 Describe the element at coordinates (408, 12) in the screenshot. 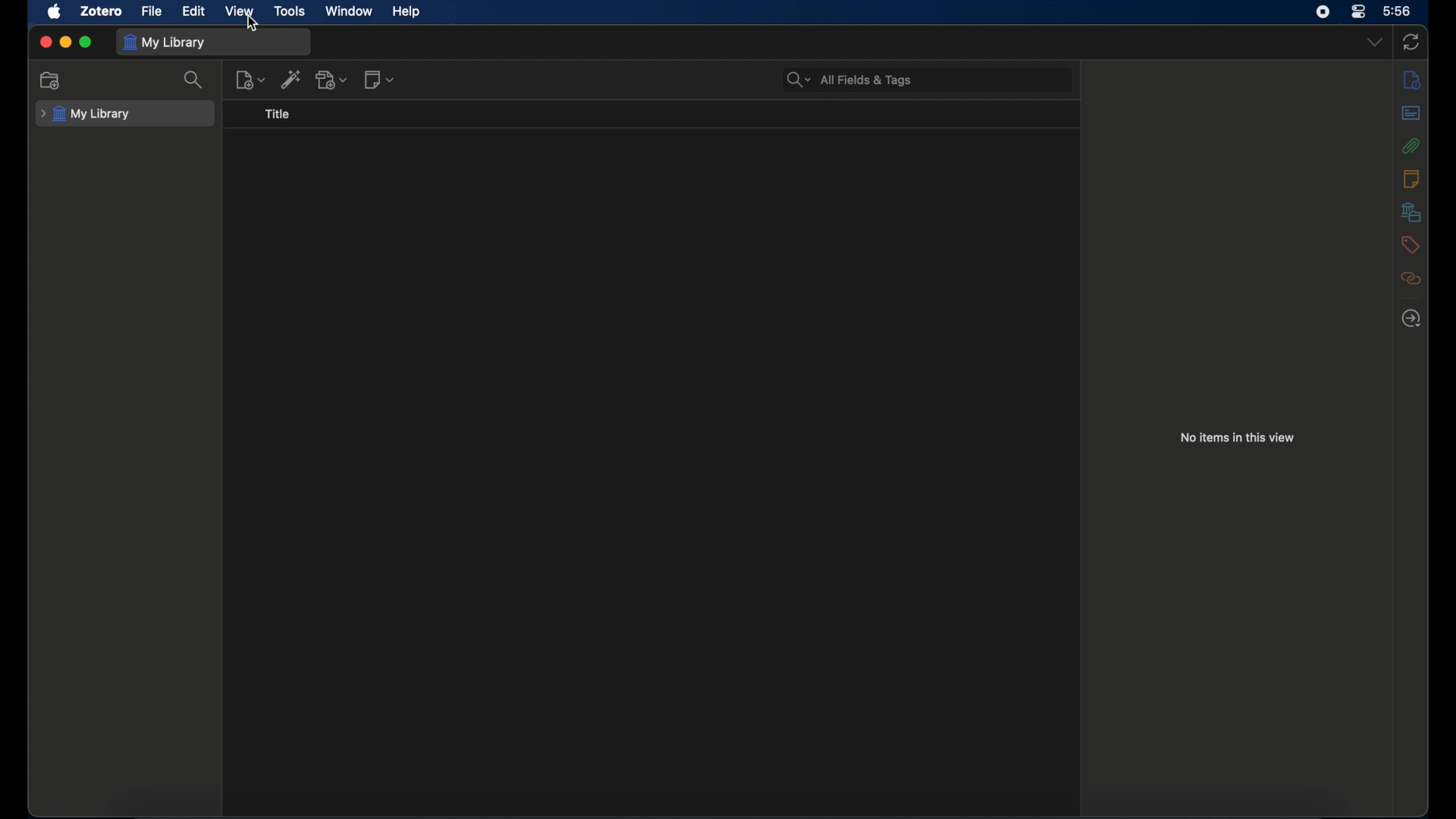

I see `help` at that location.